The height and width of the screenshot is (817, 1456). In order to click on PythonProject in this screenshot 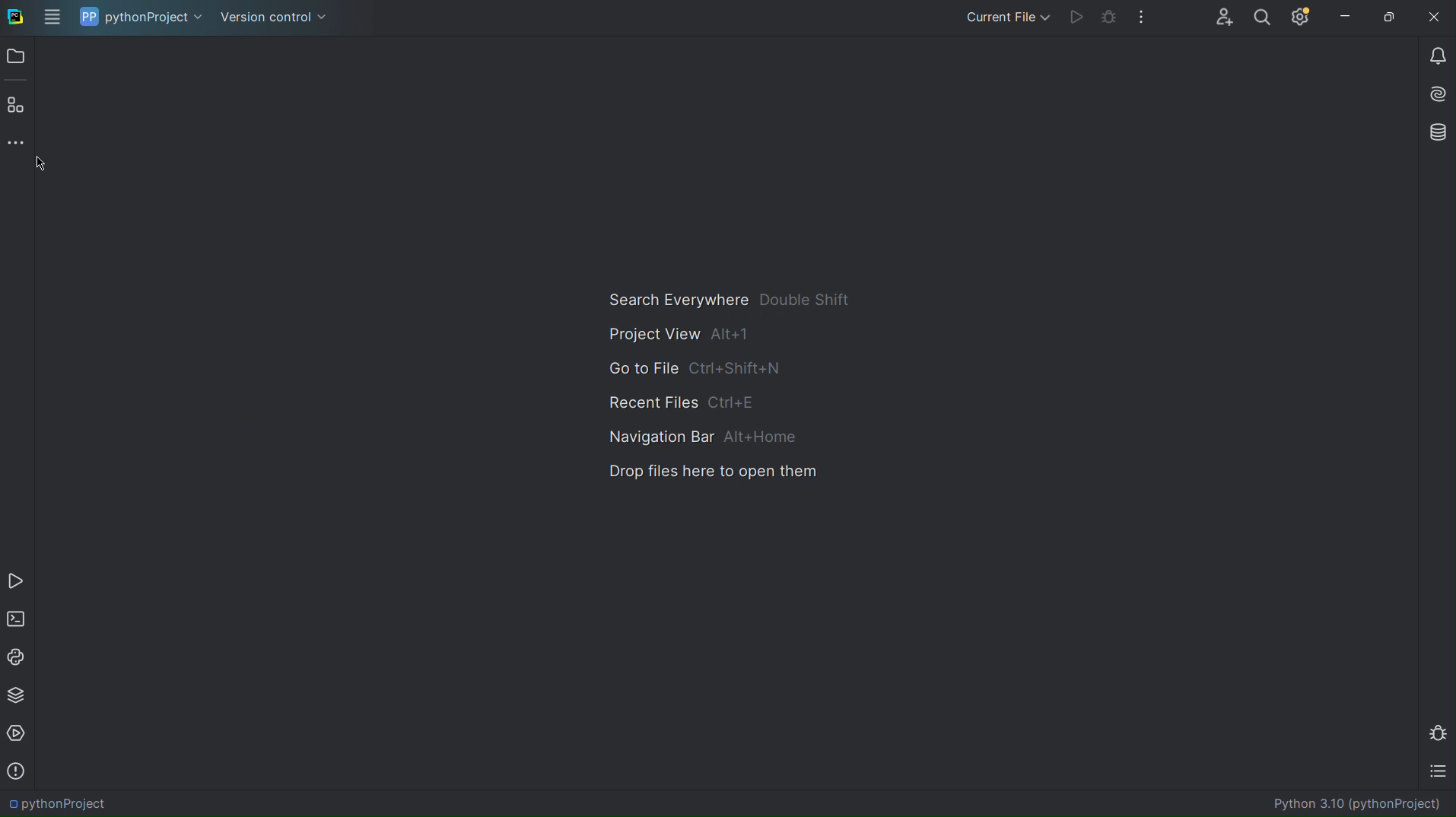, I will do `click(65, 800)`.